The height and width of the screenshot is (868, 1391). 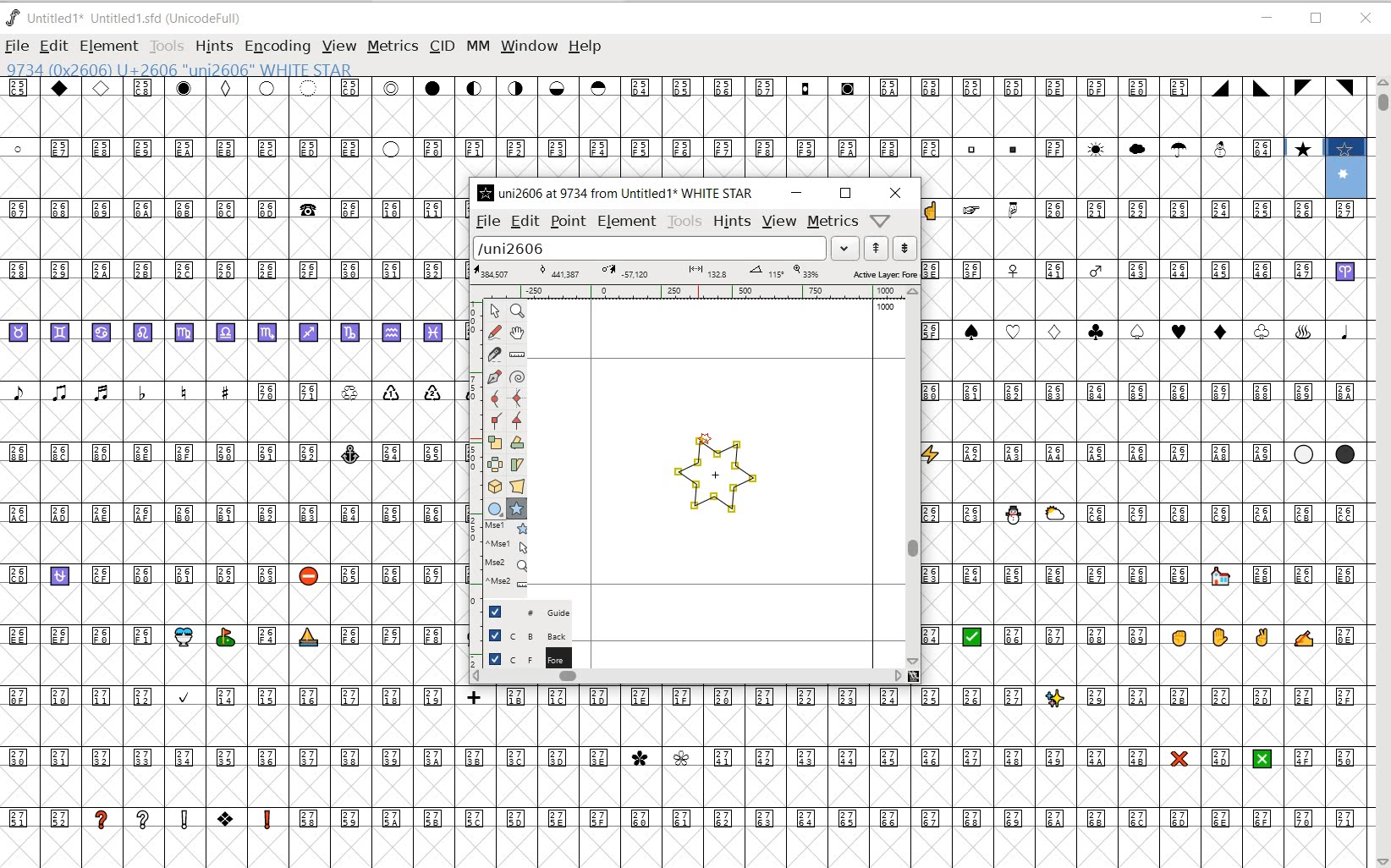 What do you see at coordinates (494, 332) in the screenshot?
I see `DRAW A FREEHAND` at bounding box center [494, 332].